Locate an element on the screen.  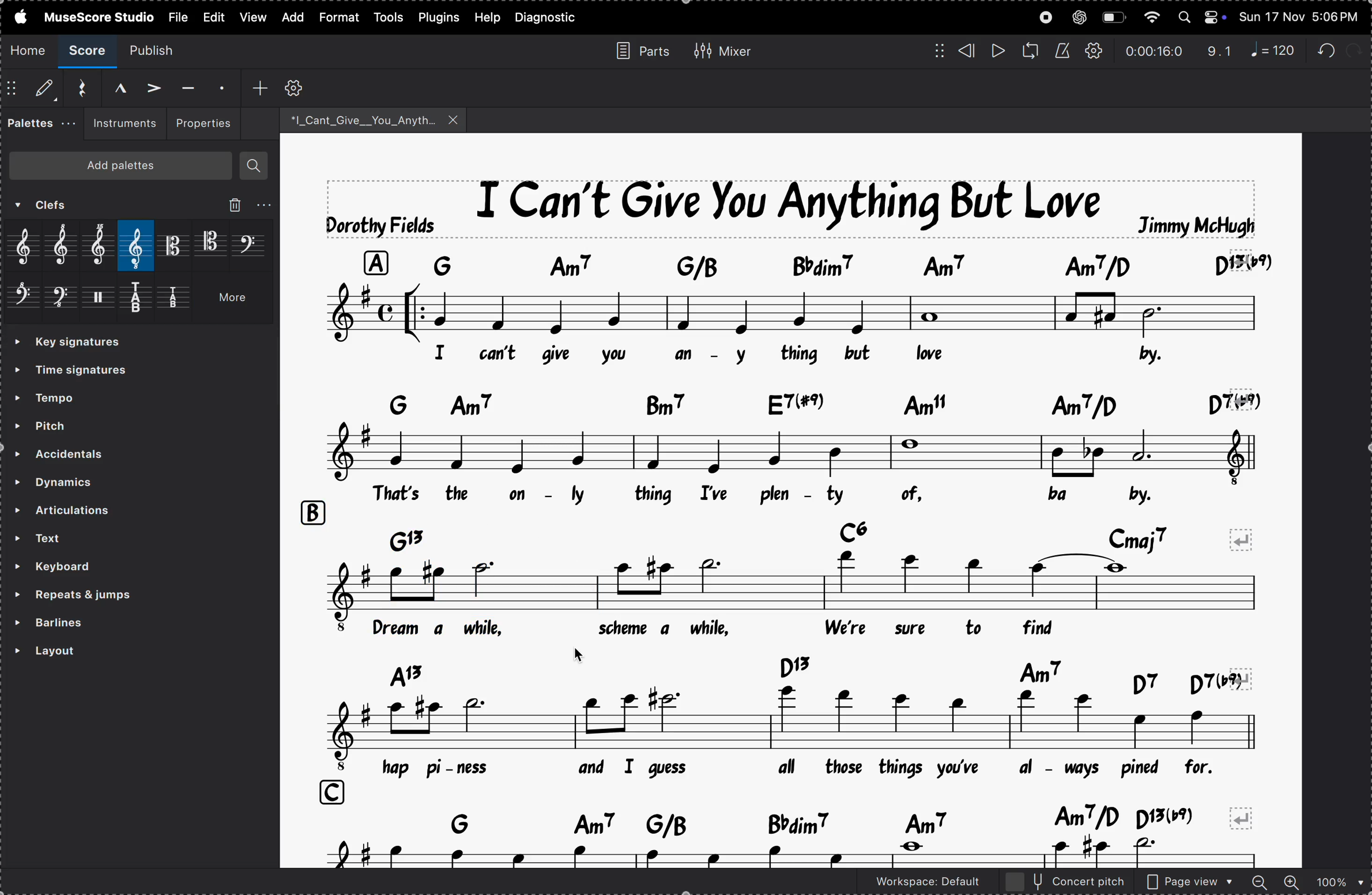
bass clef is located at coordinates (250, 243).